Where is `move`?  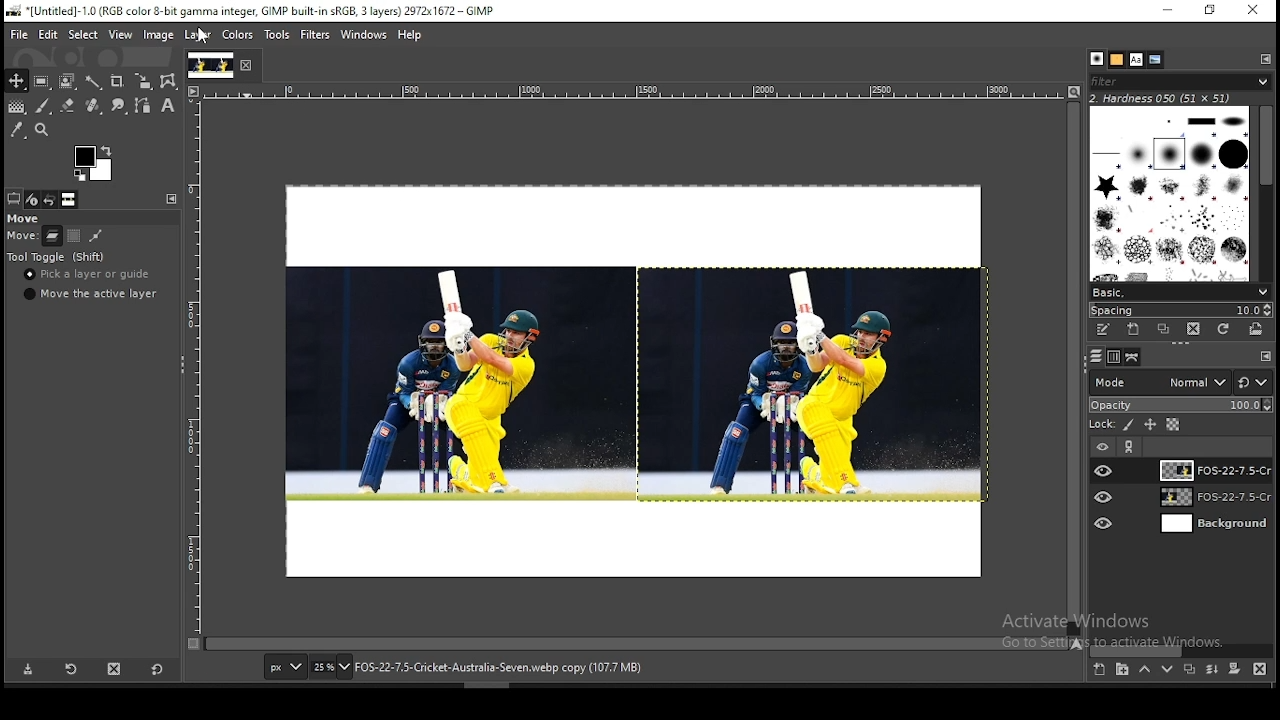
move is located at coordinates (22, 238).